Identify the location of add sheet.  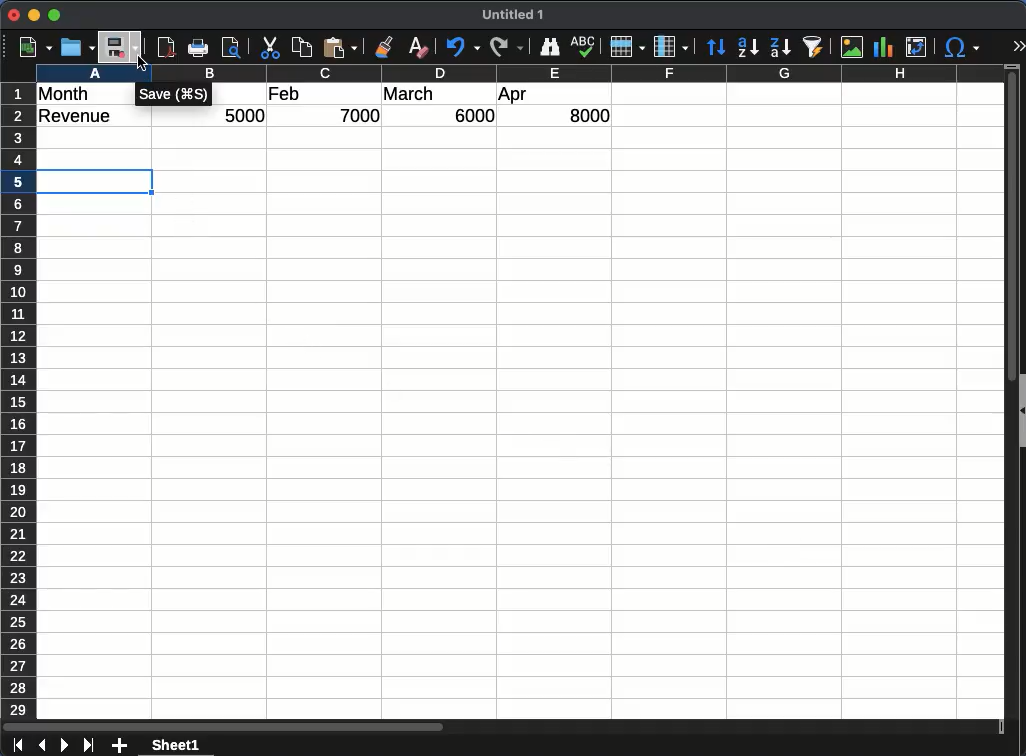
(121, 746).